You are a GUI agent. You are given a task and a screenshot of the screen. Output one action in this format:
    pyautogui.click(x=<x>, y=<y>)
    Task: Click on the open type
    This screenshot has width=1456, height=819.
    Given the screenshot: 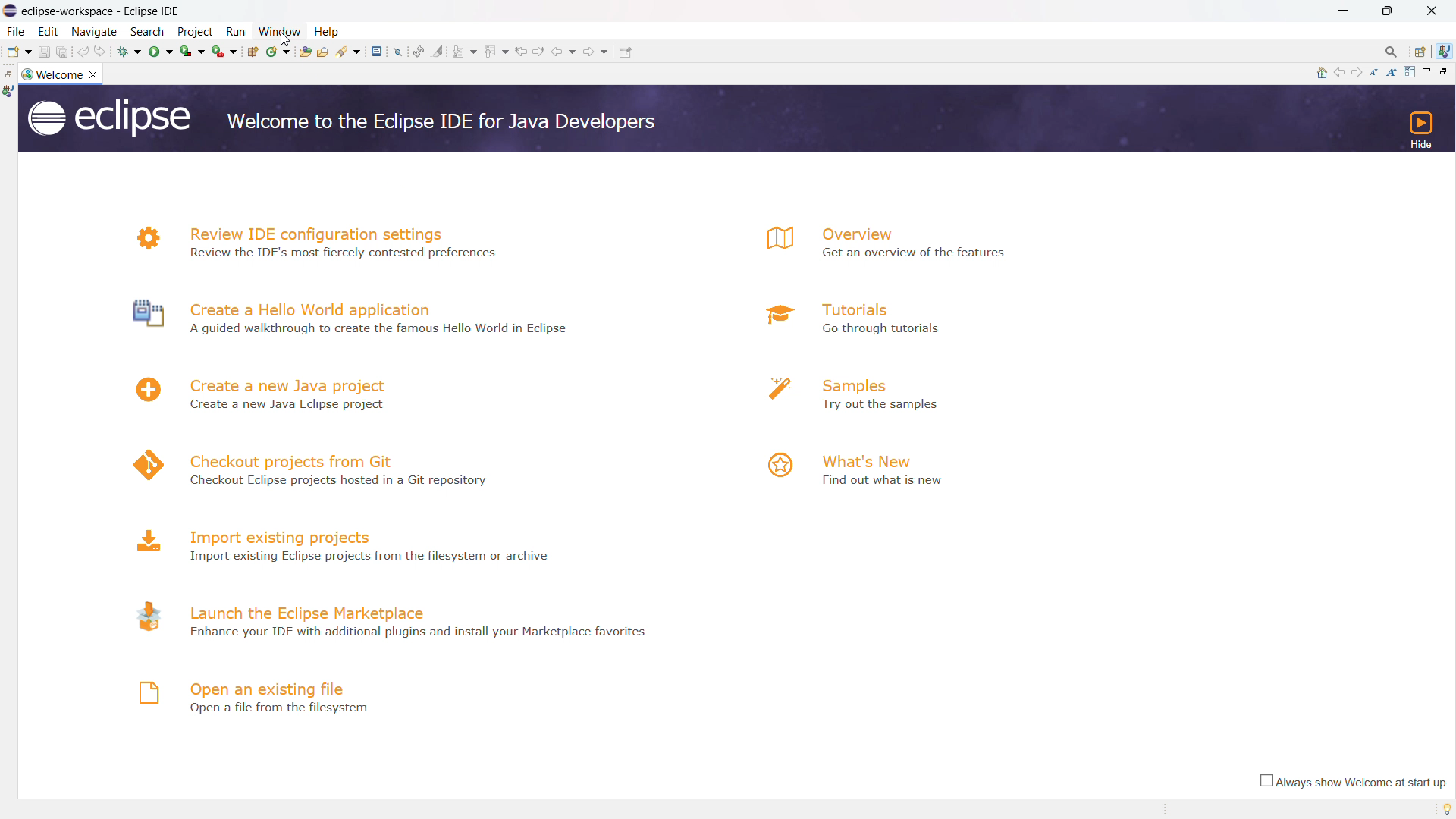 What is the action you would take?
    pyautogui.click(x=304, y=52)
    